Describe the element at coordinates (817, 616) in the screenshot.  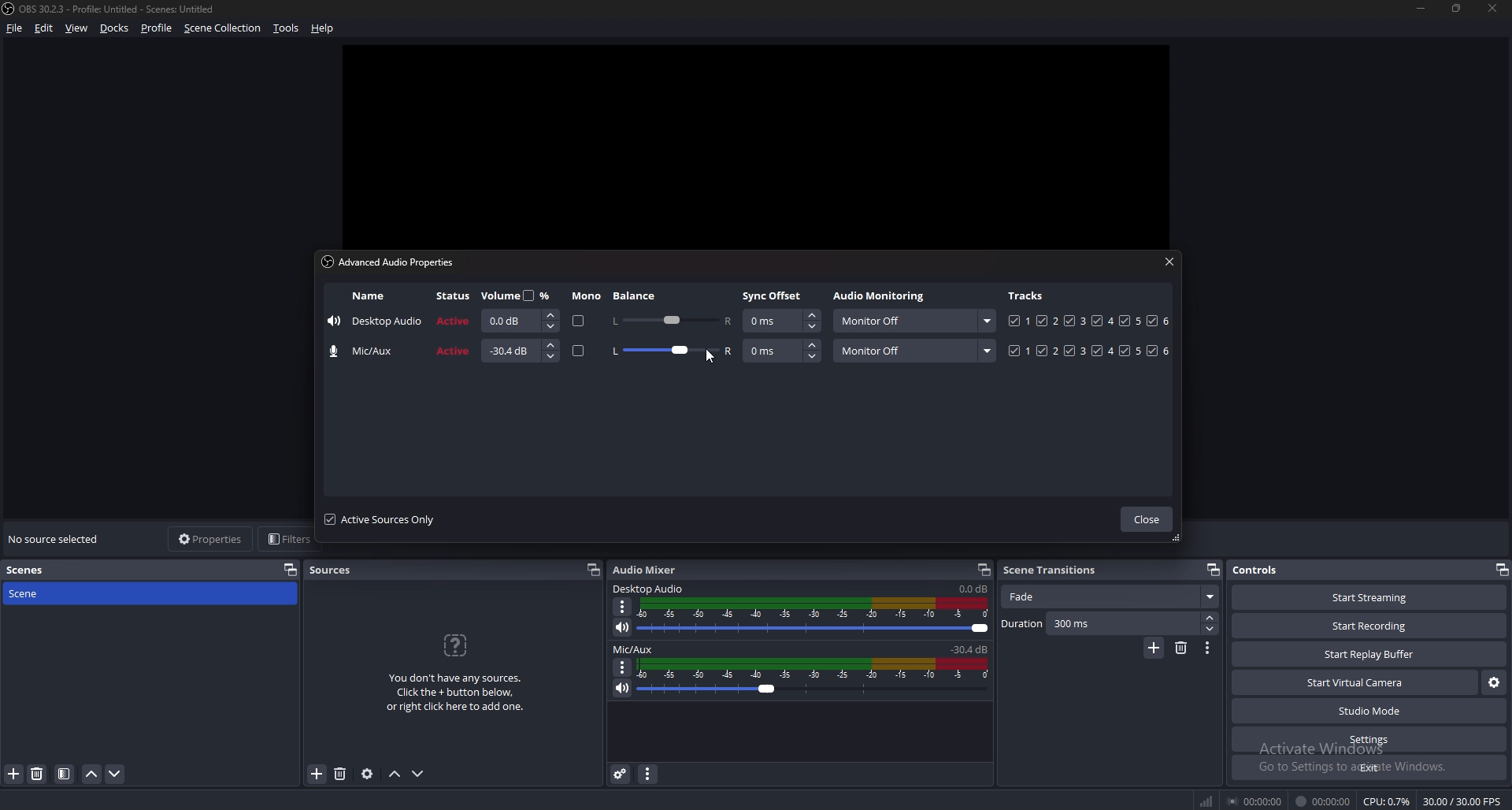
I see `desktop audio adjust` at that location.